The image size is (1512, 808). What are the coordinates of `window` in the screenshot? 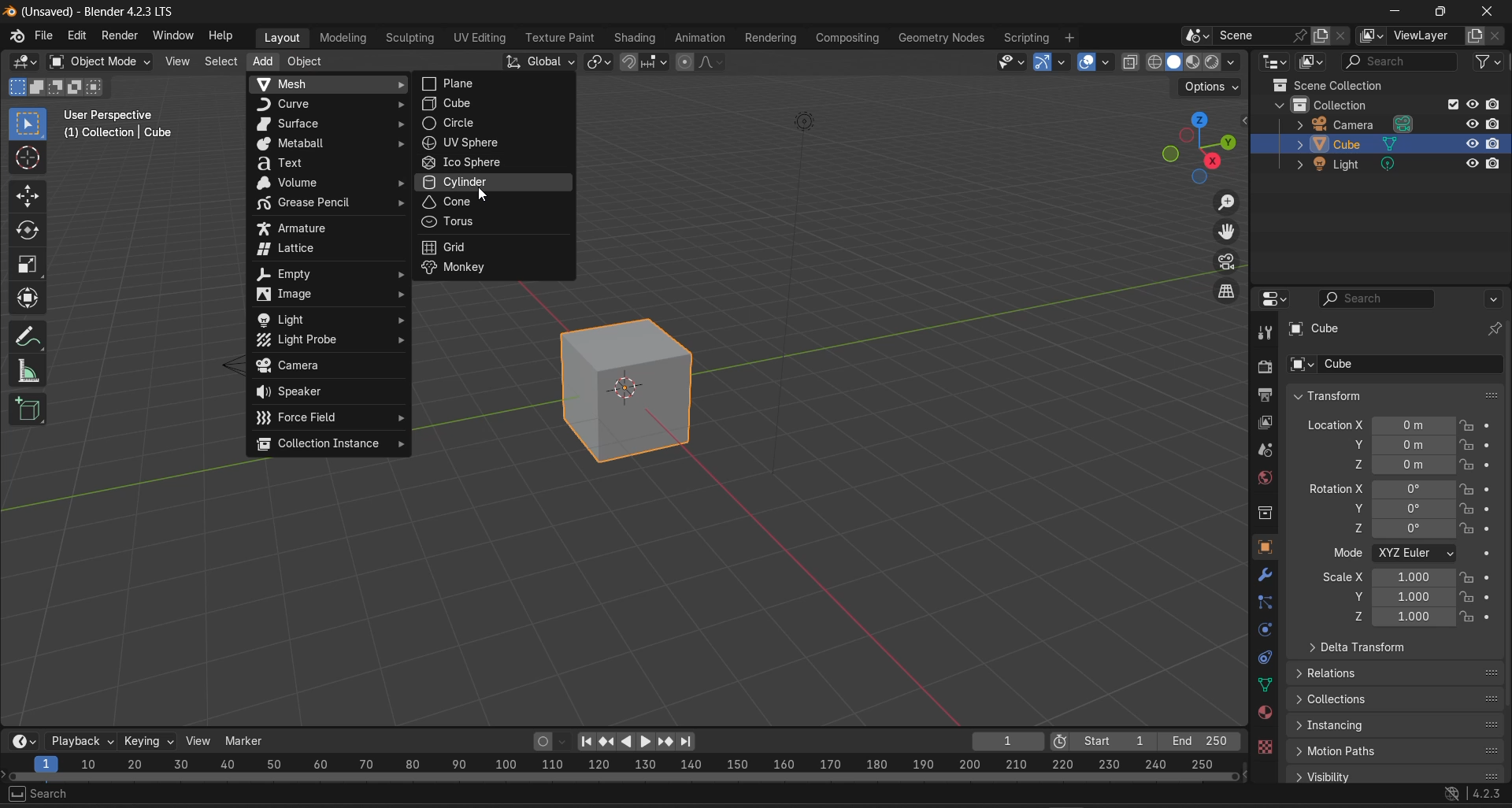 It's located at (175, 36).